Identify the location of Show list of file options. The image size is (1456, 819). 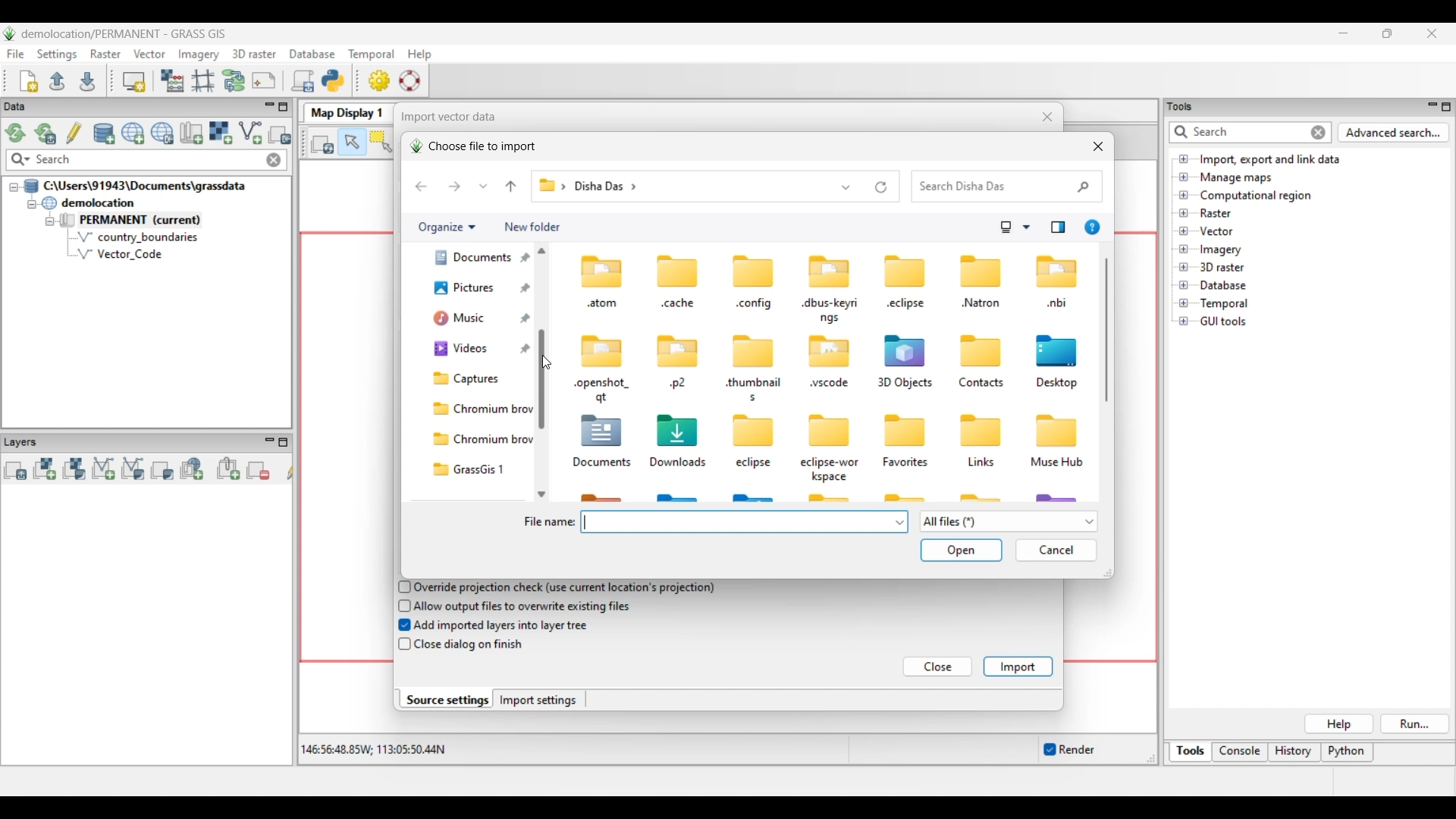
(1008, 522).